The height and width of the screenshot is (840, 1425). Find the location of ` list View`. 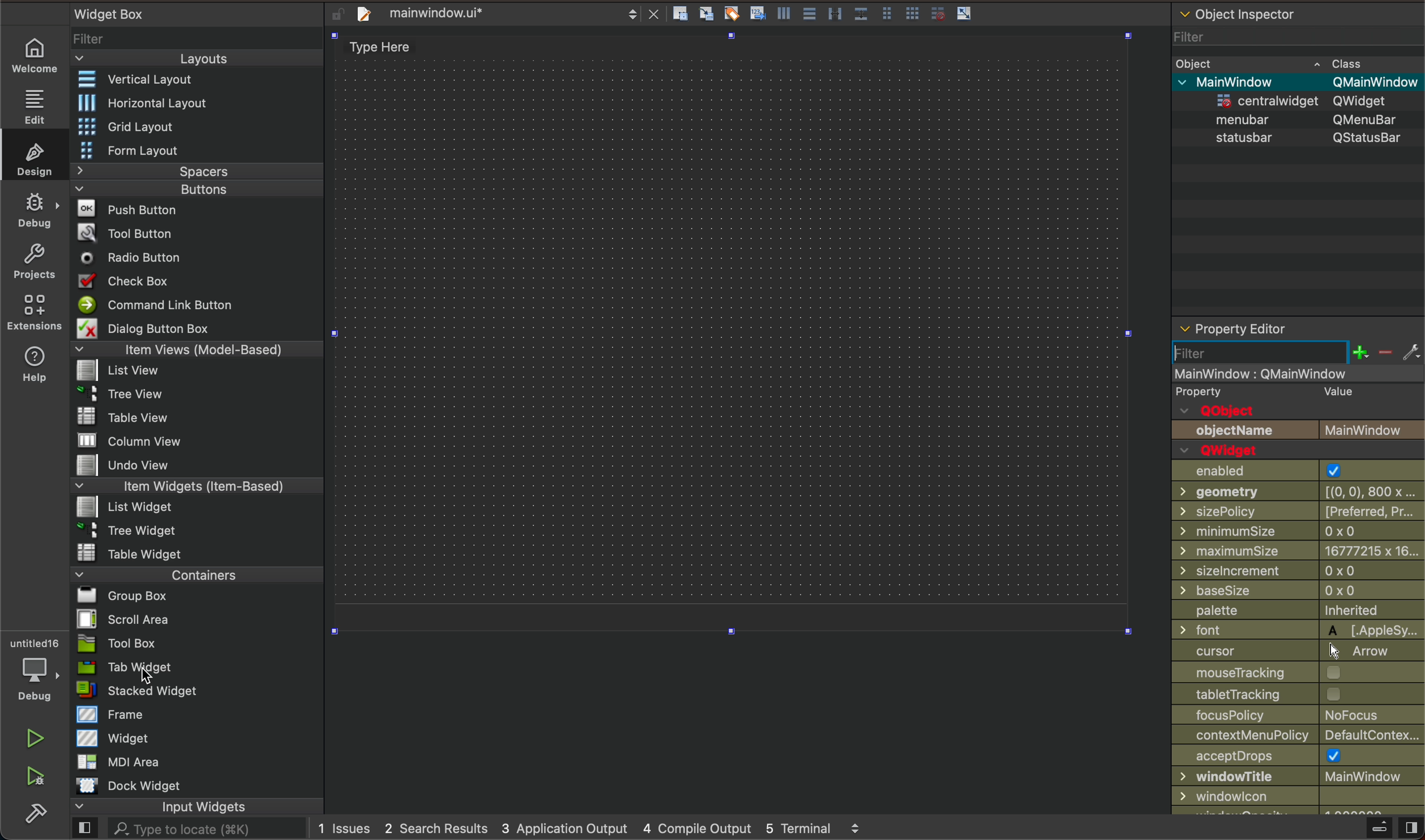

 list View is located at coordinates (119, 371).